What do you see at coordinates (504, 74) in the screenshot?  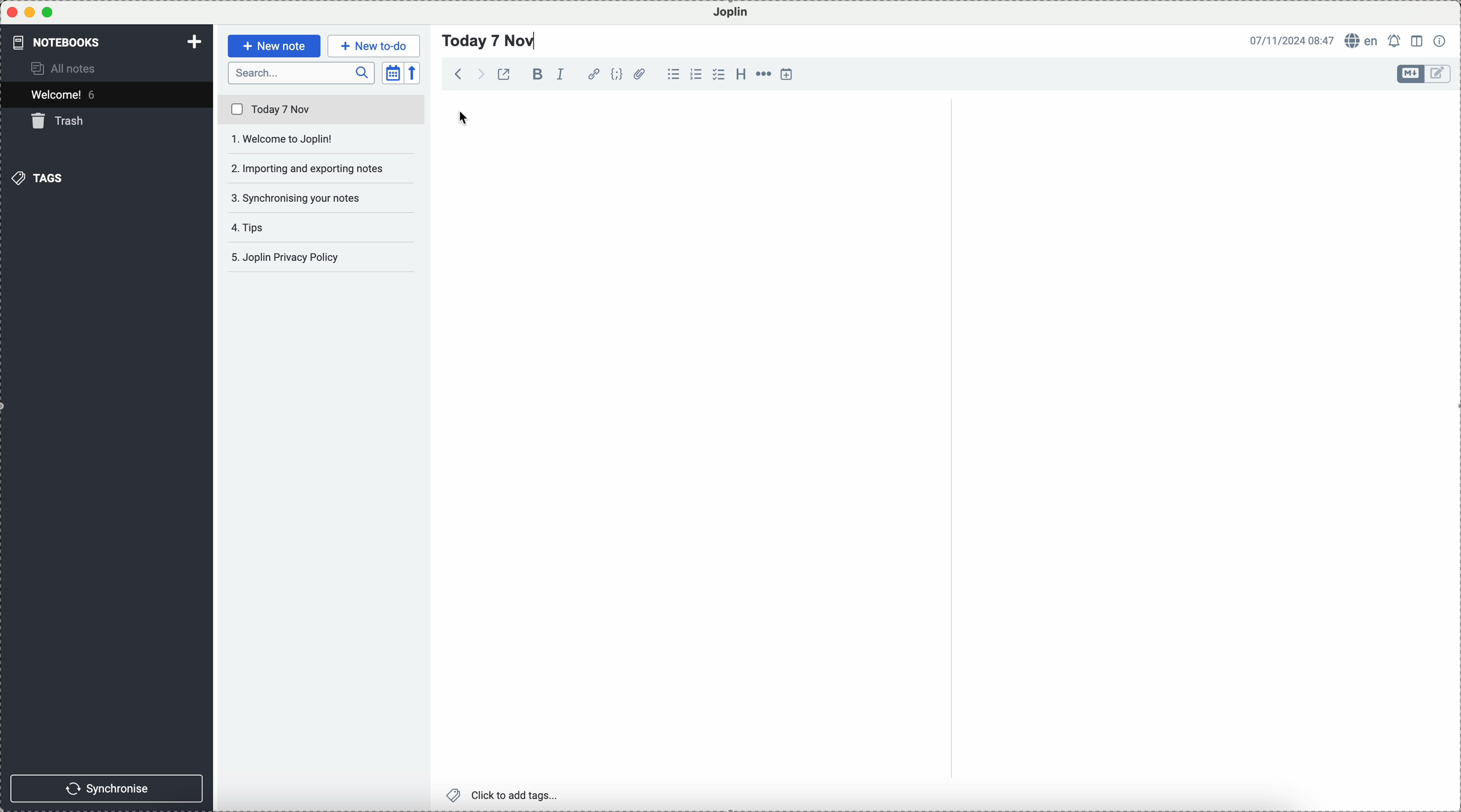 I see `toggle external editing` at bounding box center [504, 74].